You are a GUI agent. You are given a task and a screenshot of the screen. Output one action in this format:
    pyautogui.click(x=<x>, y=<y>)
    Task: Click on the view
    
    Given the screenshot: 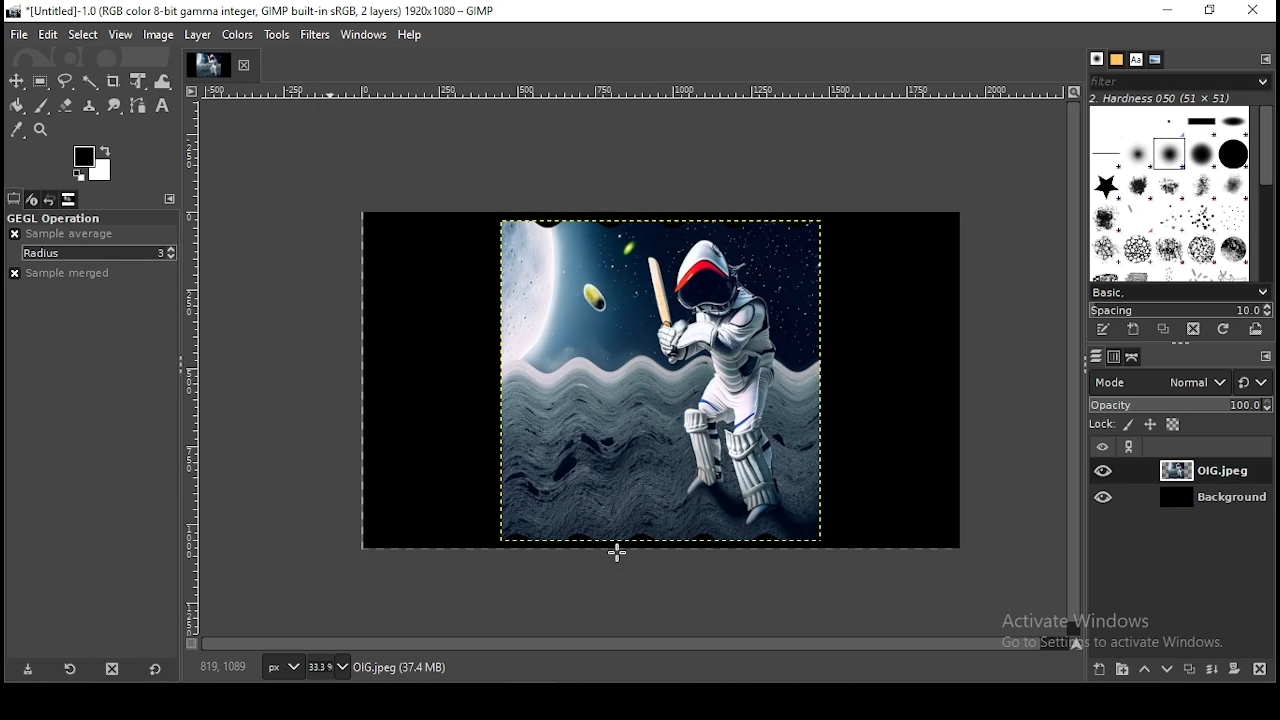 What is the action you would take?
    pyautogui.click(x=122, y=34)
    